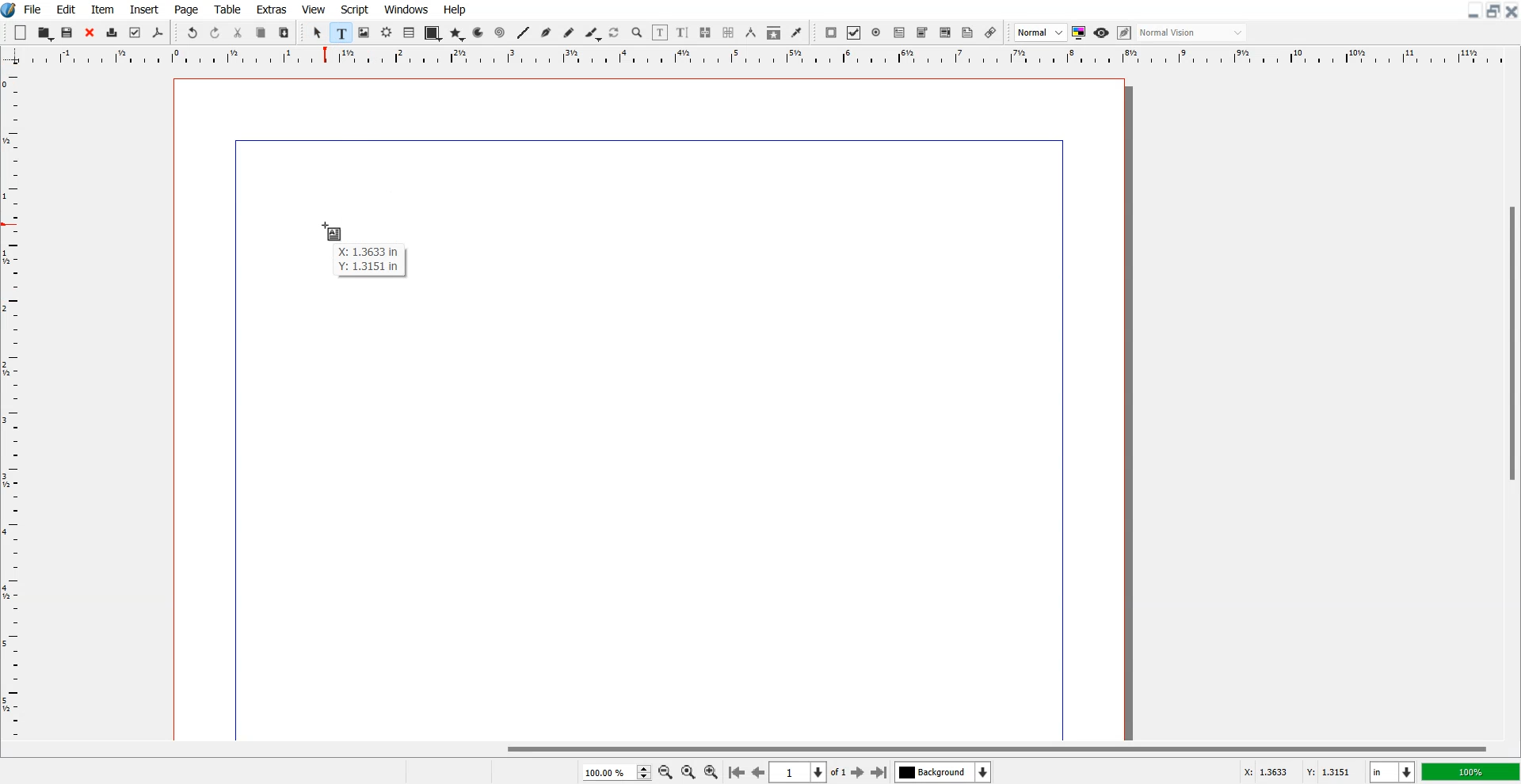 The width and height of the screenshot is (1521, 784). Describe the element at coordinates (1472, 771) in the screenshot. I see `100%` at that location.